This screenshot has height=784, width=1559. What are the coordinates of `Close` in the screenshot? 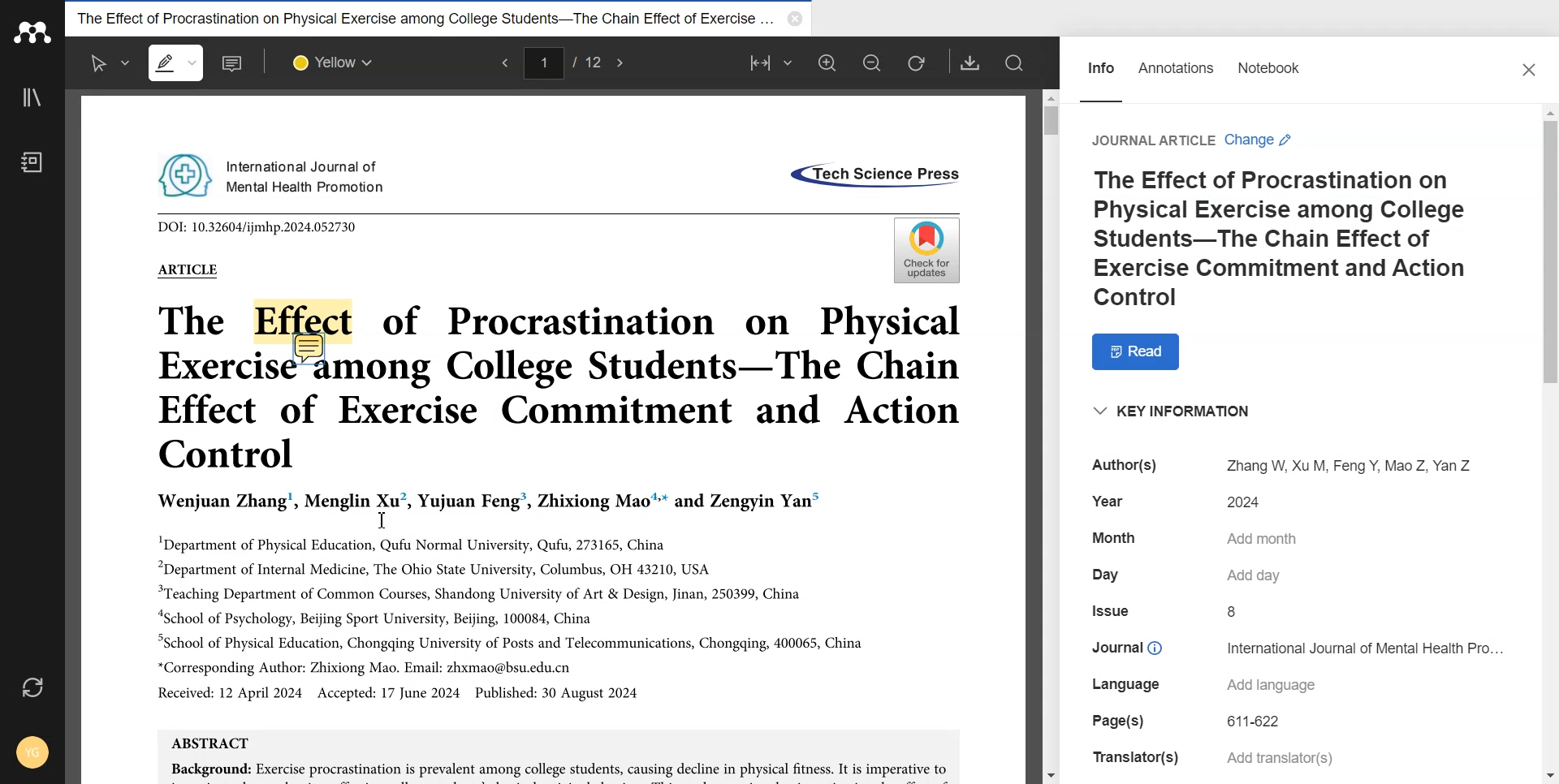 It's located at (792, 19).